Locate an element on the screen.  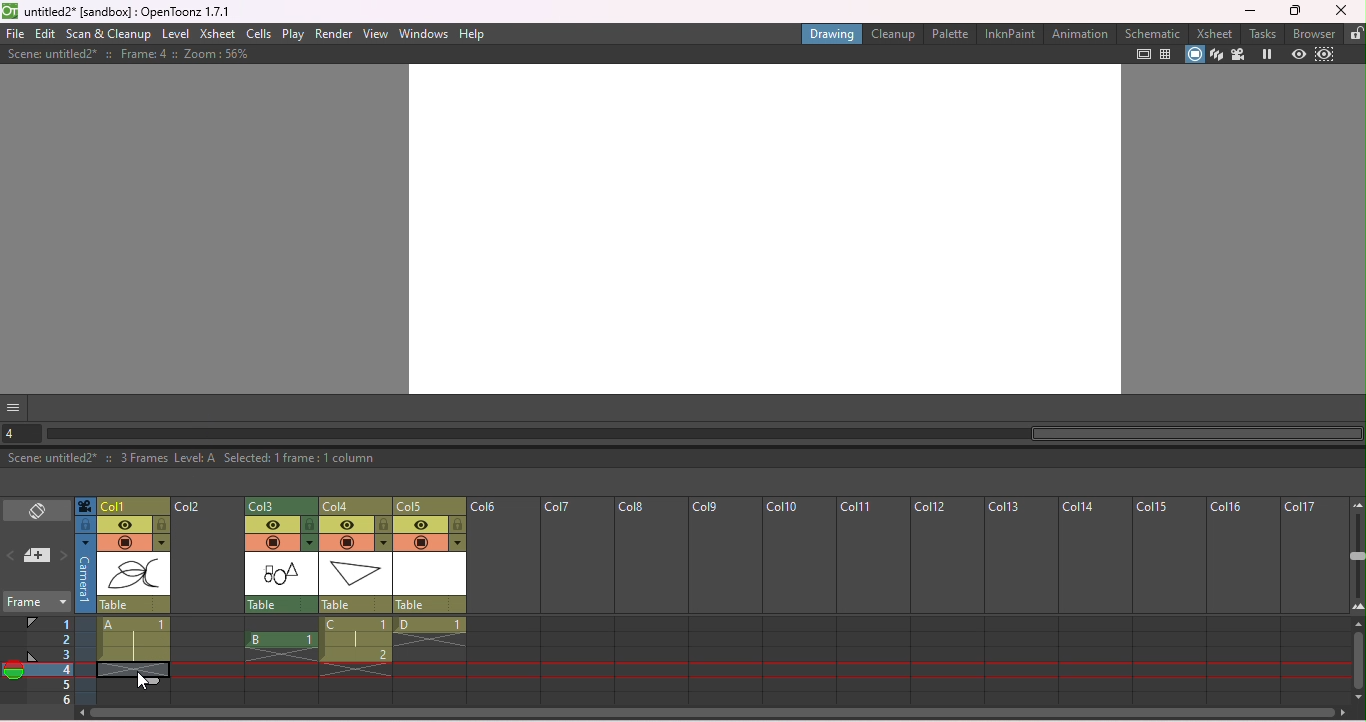
Minimize is located at coordinates (1250, 10).